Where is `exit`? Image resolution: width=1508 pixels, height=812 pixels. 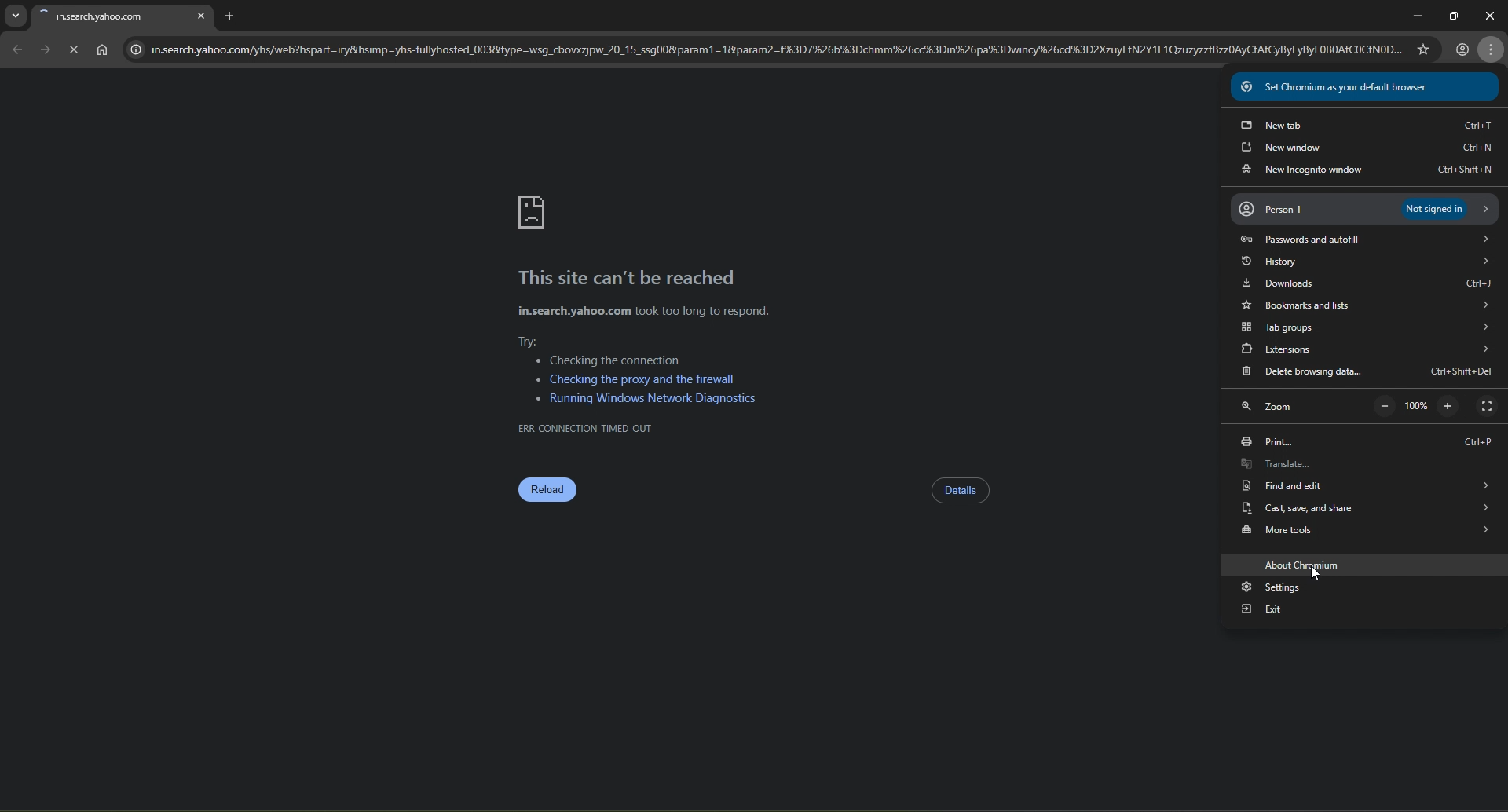 exit is located at coordinates (1367, 609).